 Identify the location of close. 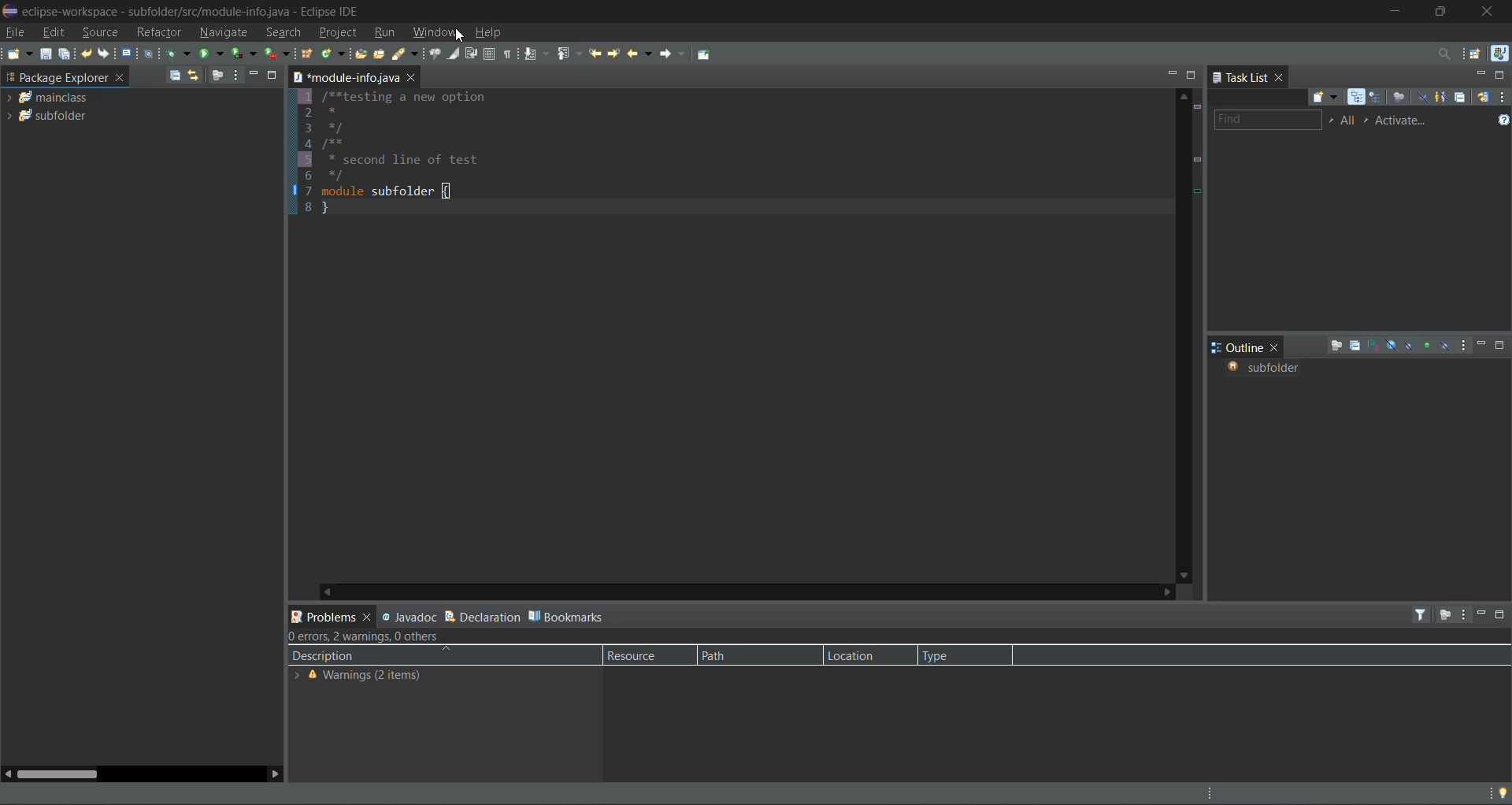
(367, 618).